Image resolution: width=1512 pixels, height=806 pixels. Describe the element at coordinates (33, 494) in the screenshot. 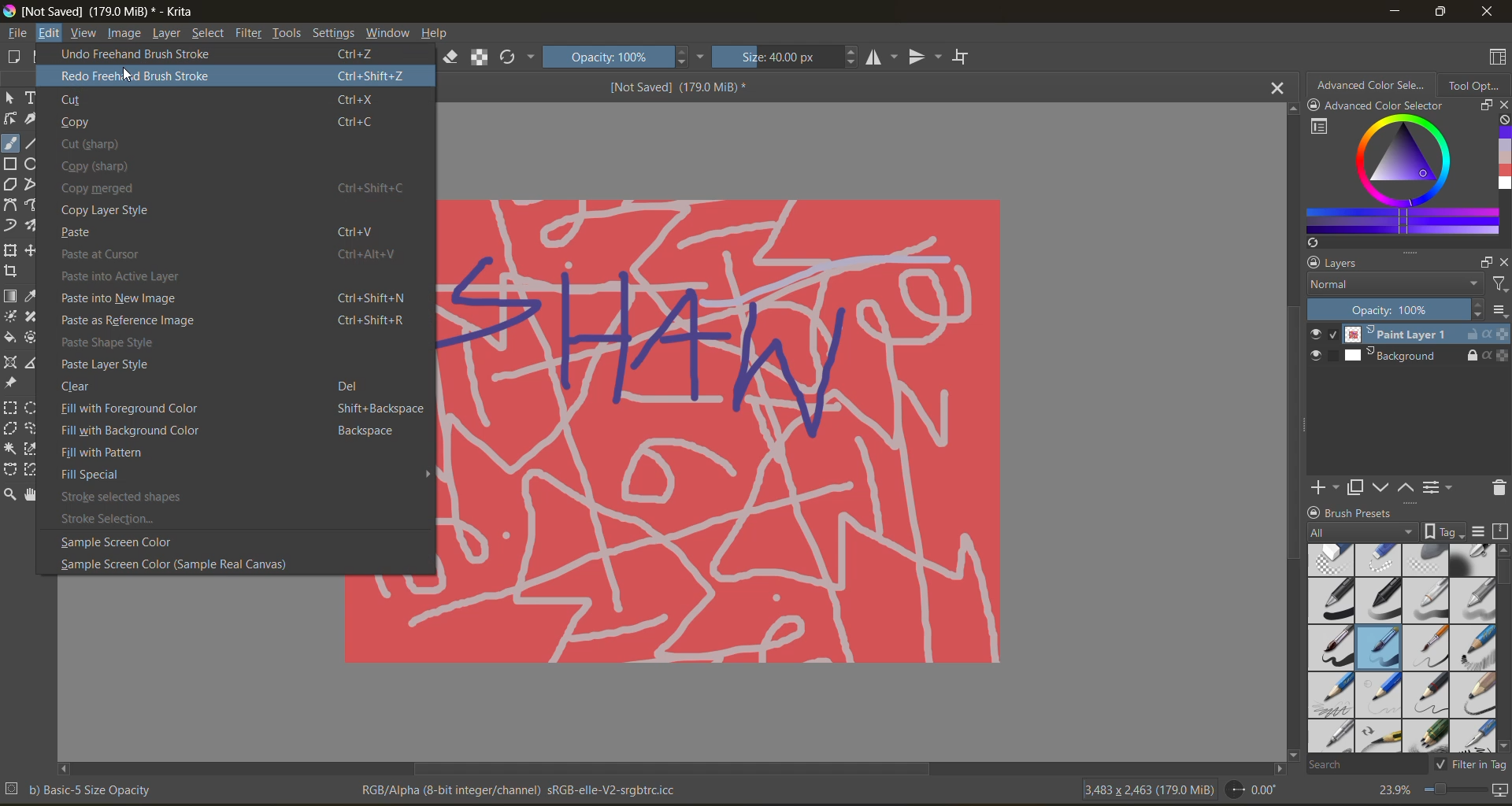

I see `pan tool` at that location.